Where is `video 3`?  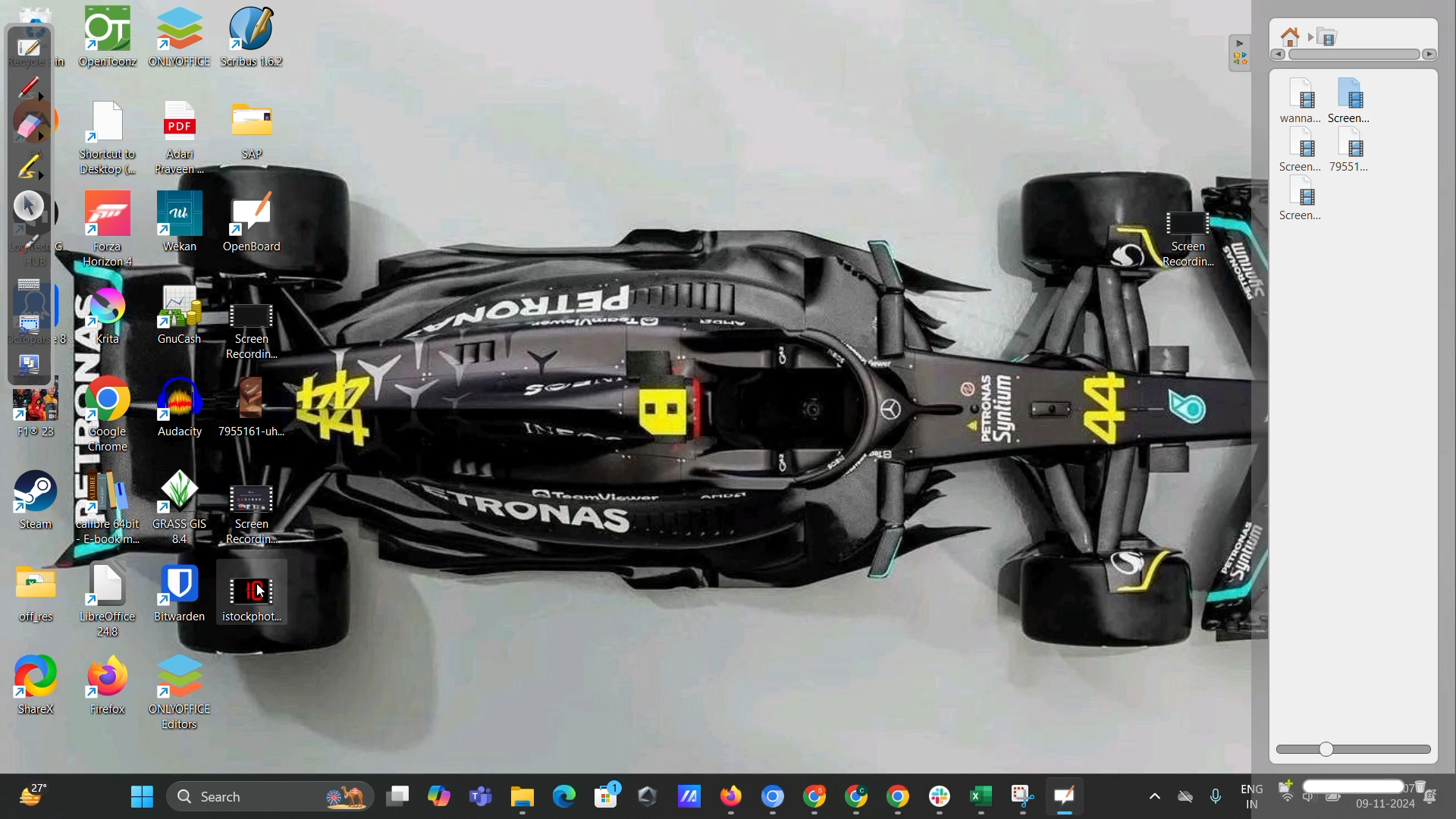
video 3 is located at coordinates (1300, 150).